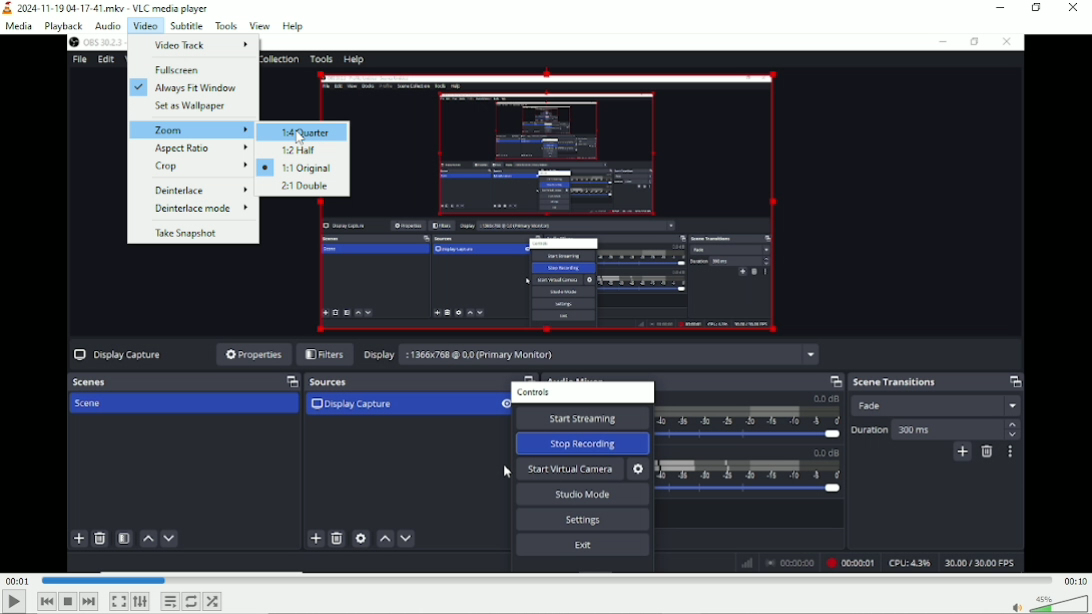  Describe the element at coordinates (300, 168) in the screenshot. I see `original` at that location.